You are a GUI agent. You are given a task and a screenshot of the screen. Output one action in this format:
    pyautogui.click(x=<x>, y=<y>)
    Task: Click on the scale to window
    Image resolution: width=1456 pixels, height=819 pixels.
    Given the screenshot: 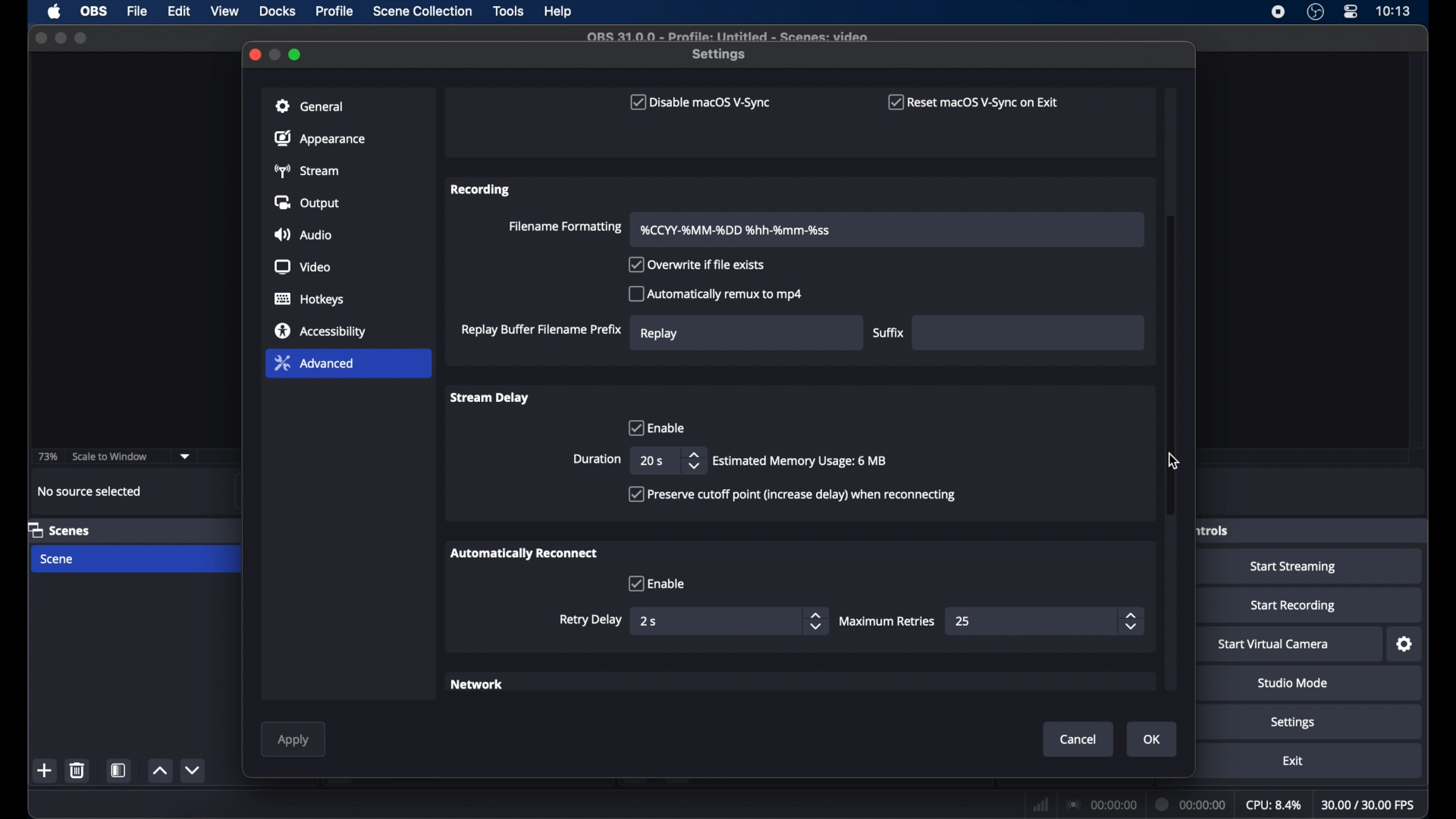 What is the action you would take?
    pyautogui.click(x=111, y=456)
    